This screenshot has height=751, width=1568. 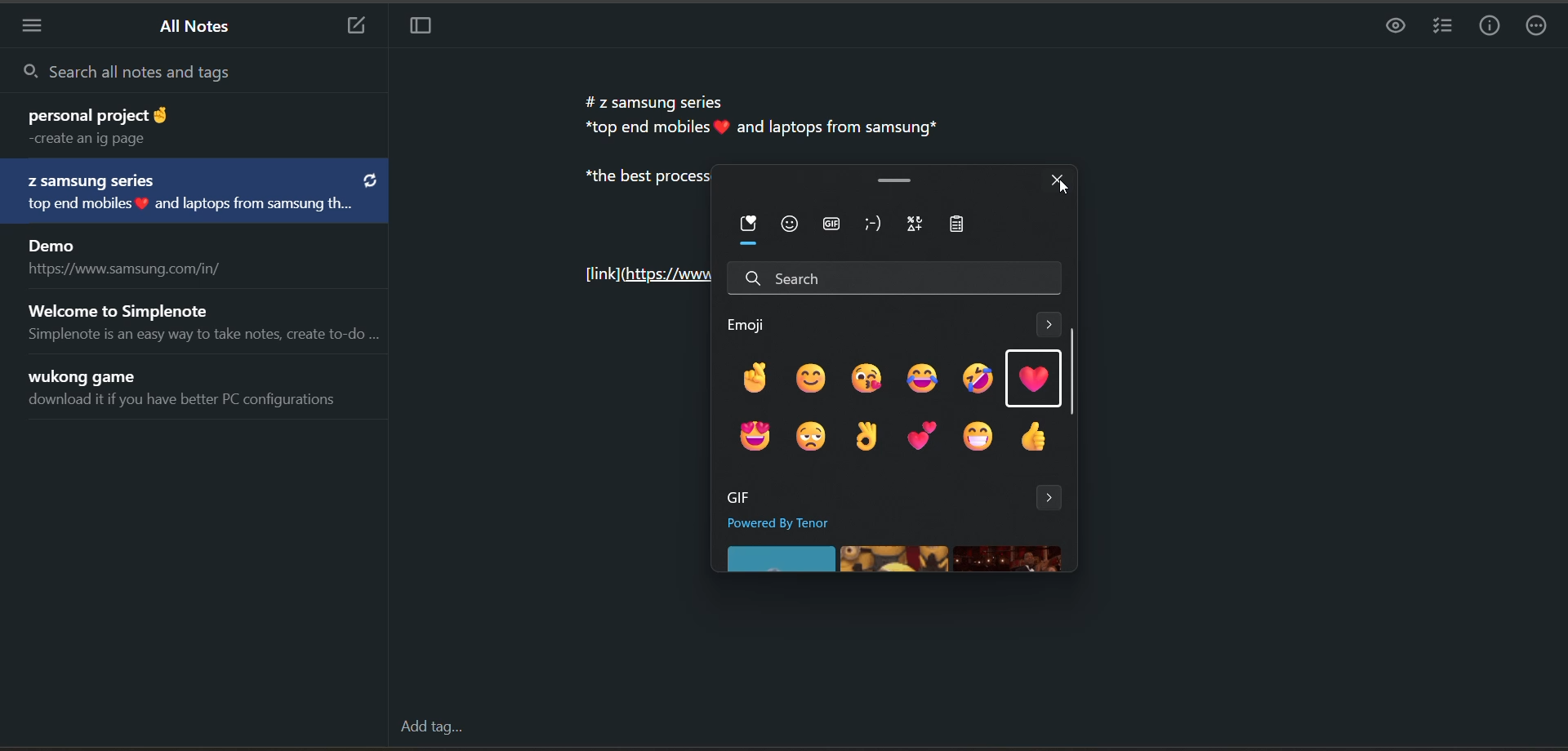 I want to click on emoji 10, so click(x=922, y=434).